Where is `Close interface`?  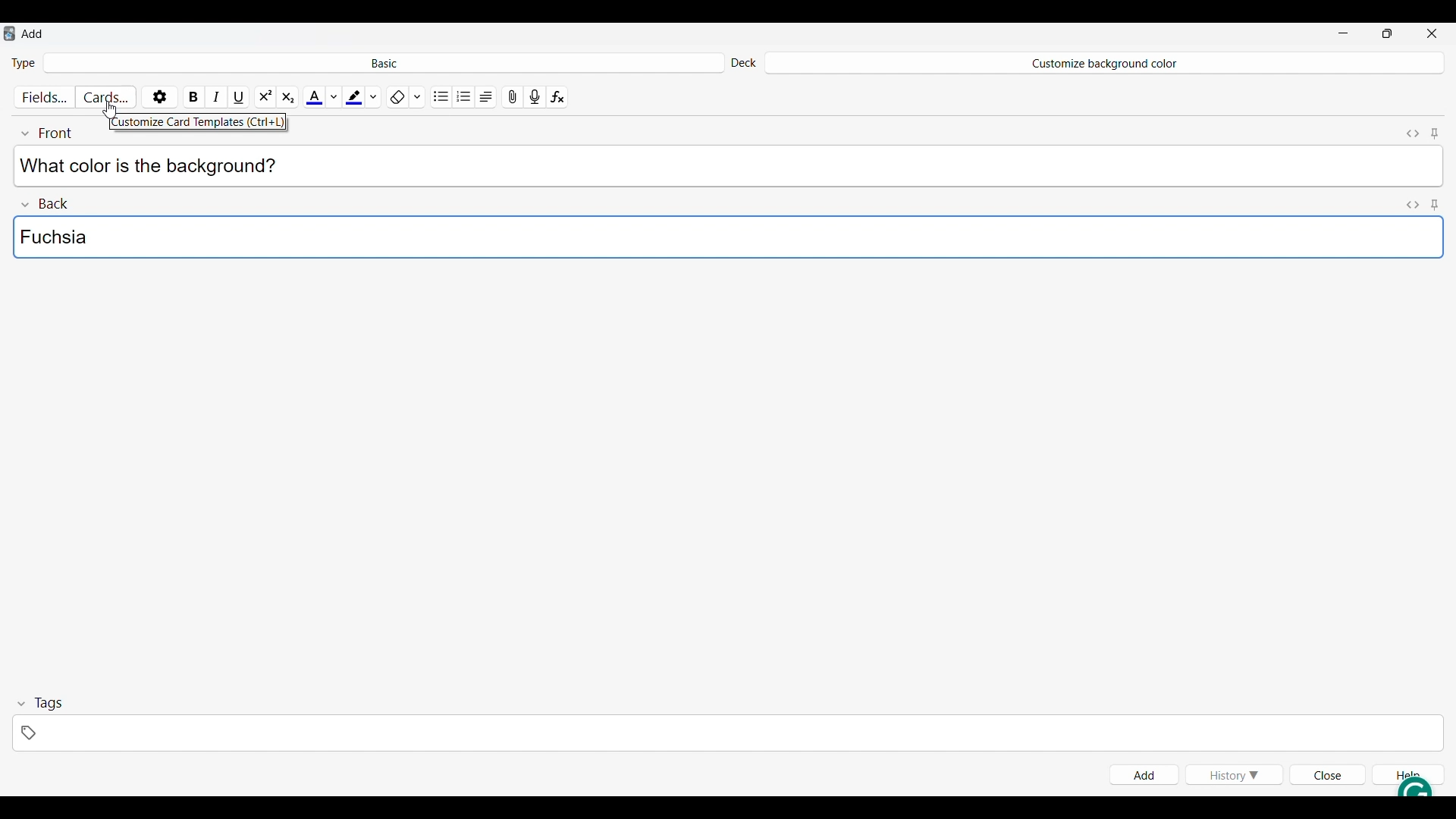 Close interface is located at coordinates (1432, 33).